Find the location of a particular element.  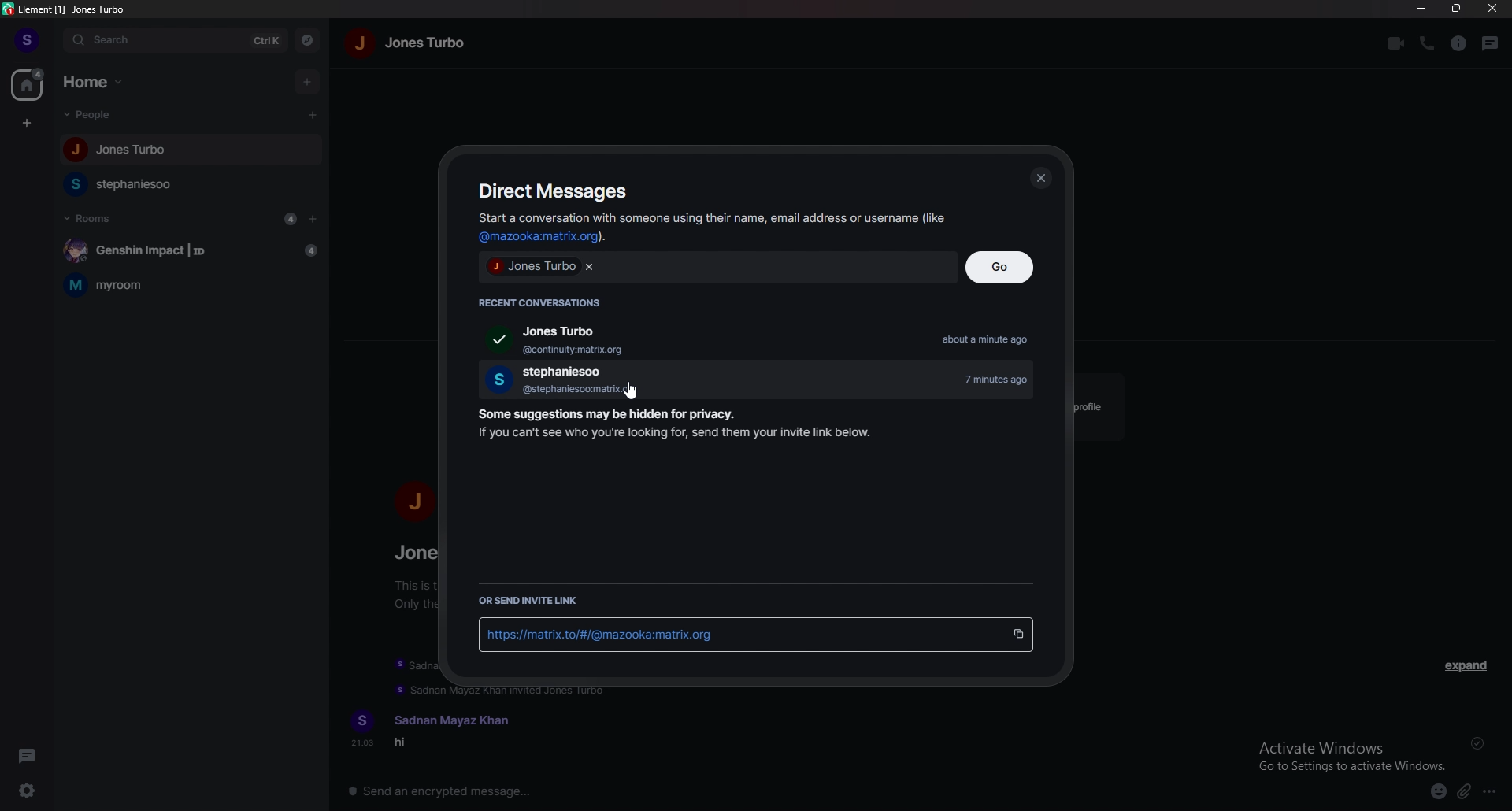

resize is located at coordinates (1455, 8).